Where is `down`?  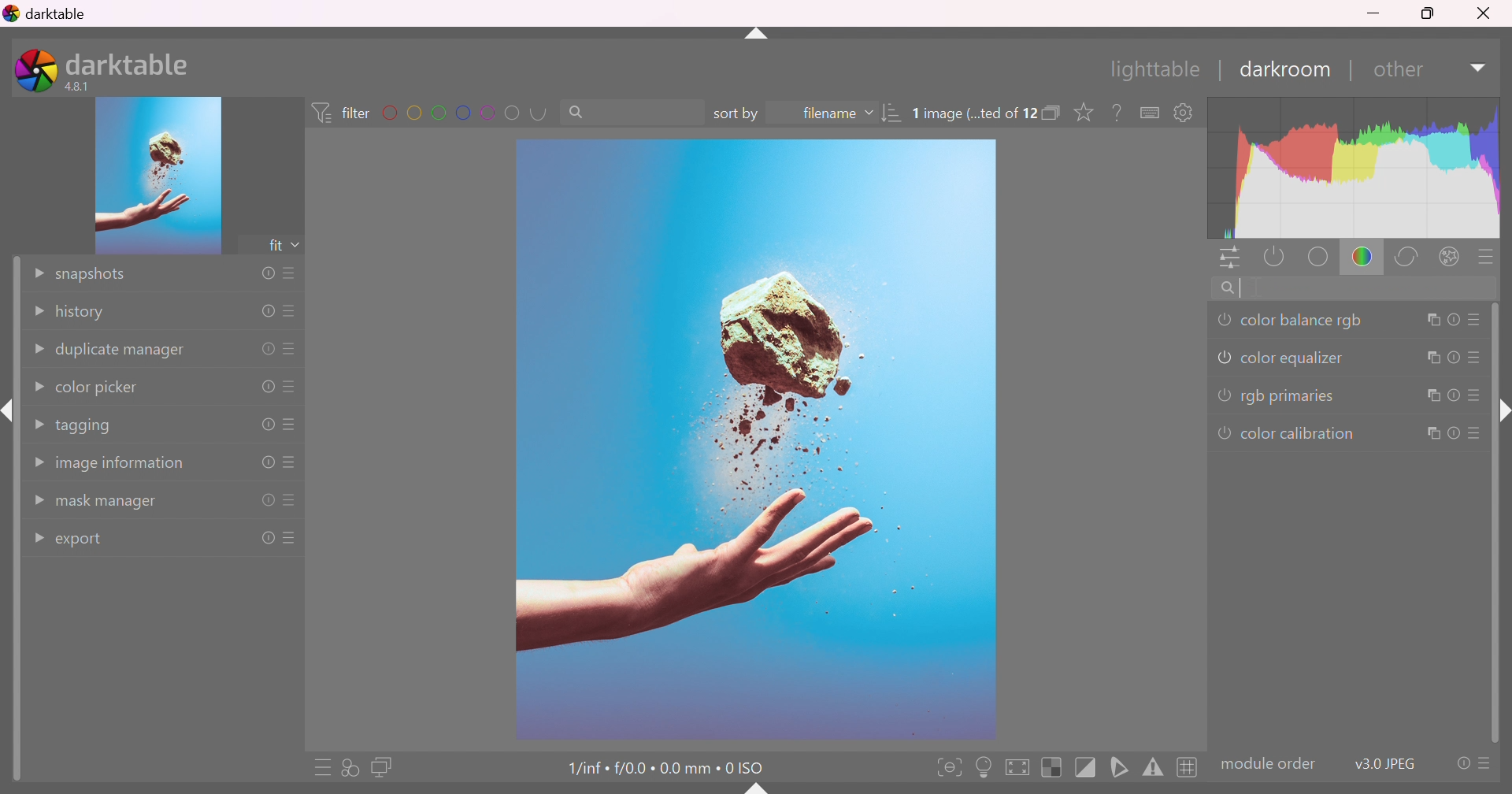 down is located at coordinates (1397, 69).